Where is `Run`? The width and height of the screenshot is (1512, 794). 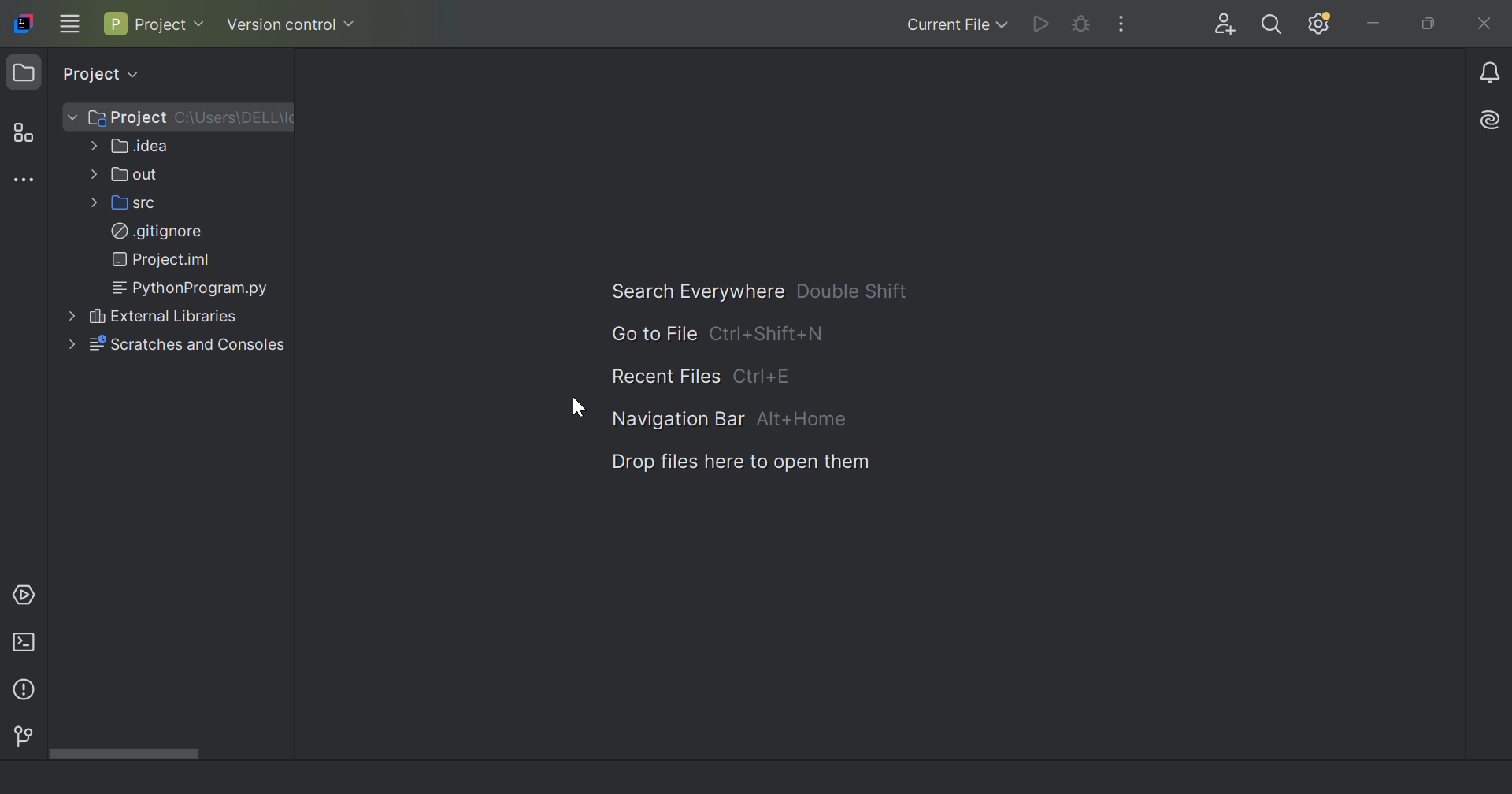 Run is located at coordinates (1039, 24).